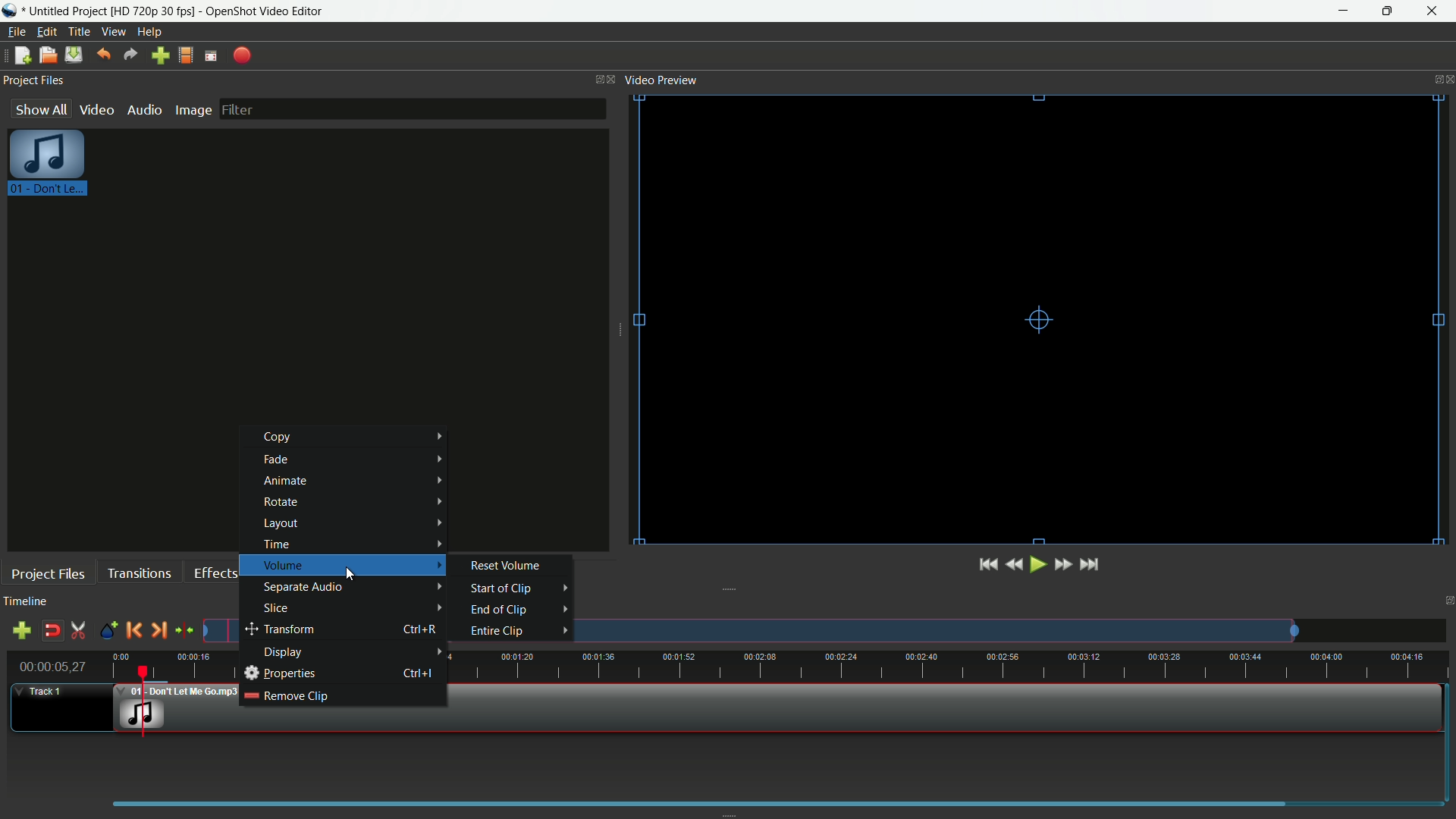 This screenshot has height=819, width=1456. I want to click on minimize, so click(1345, 11).